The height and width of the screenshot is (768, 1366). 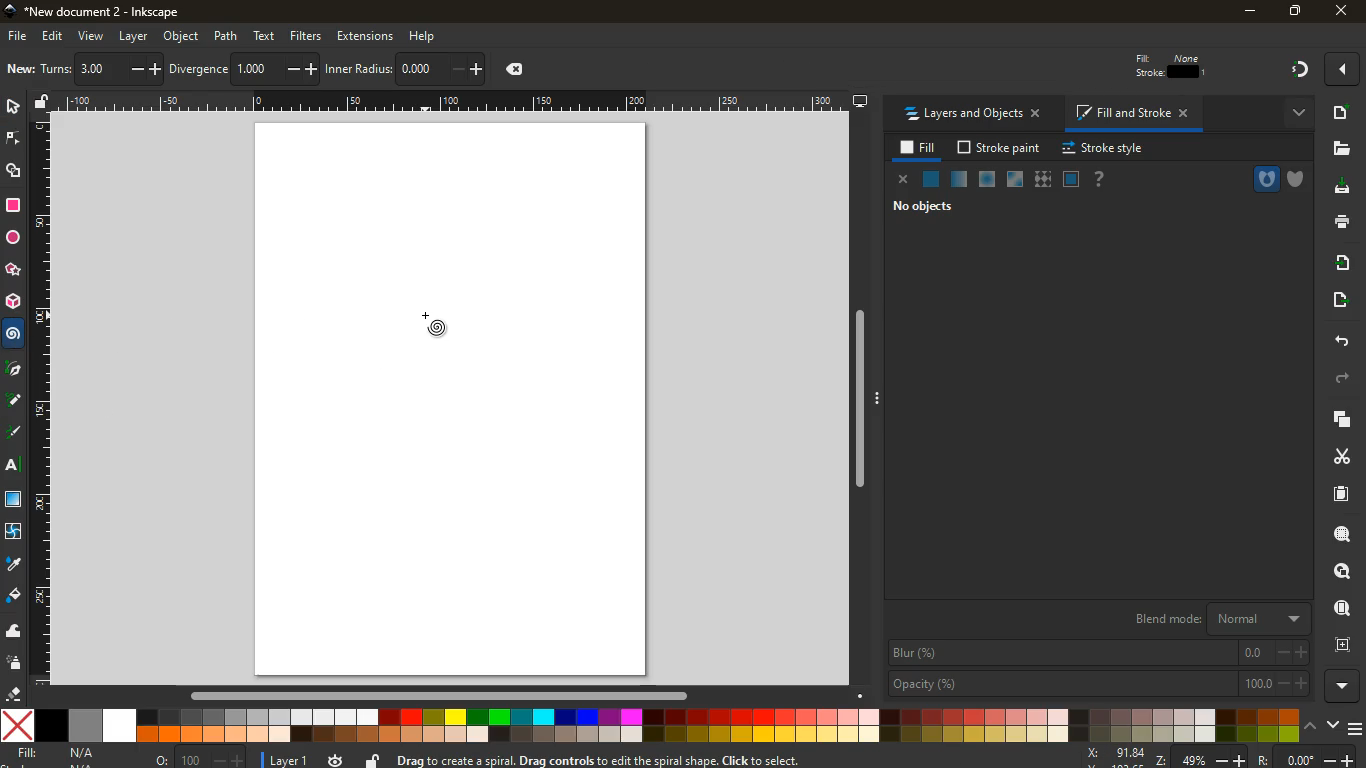 What do you see at coordinates (245, 69) in the screenshot?
I see `tilt` at bounding box center [245, 69].